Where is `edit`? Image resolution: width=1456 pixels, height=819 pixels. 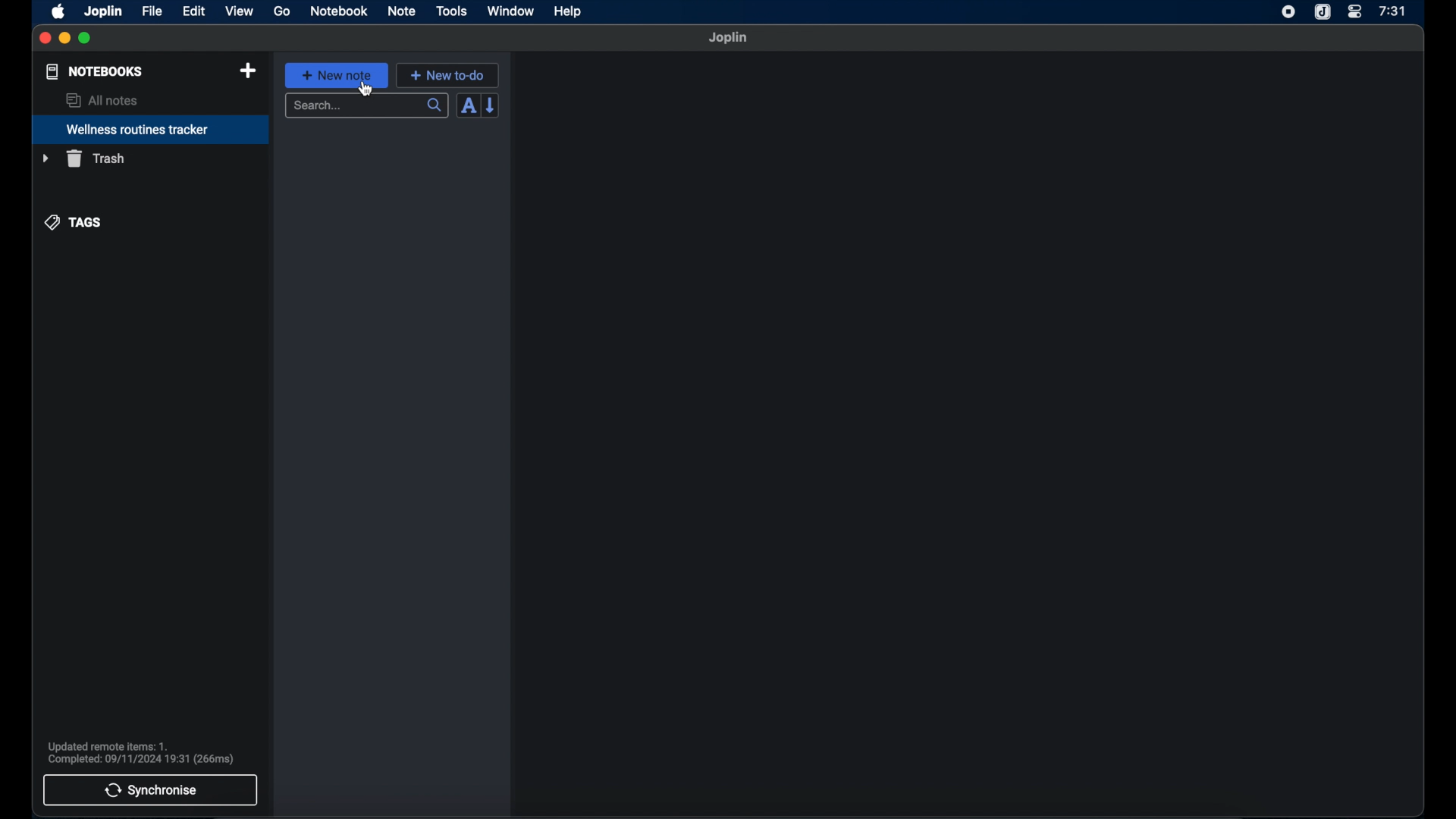 edit is located at coordinates (193, 11).